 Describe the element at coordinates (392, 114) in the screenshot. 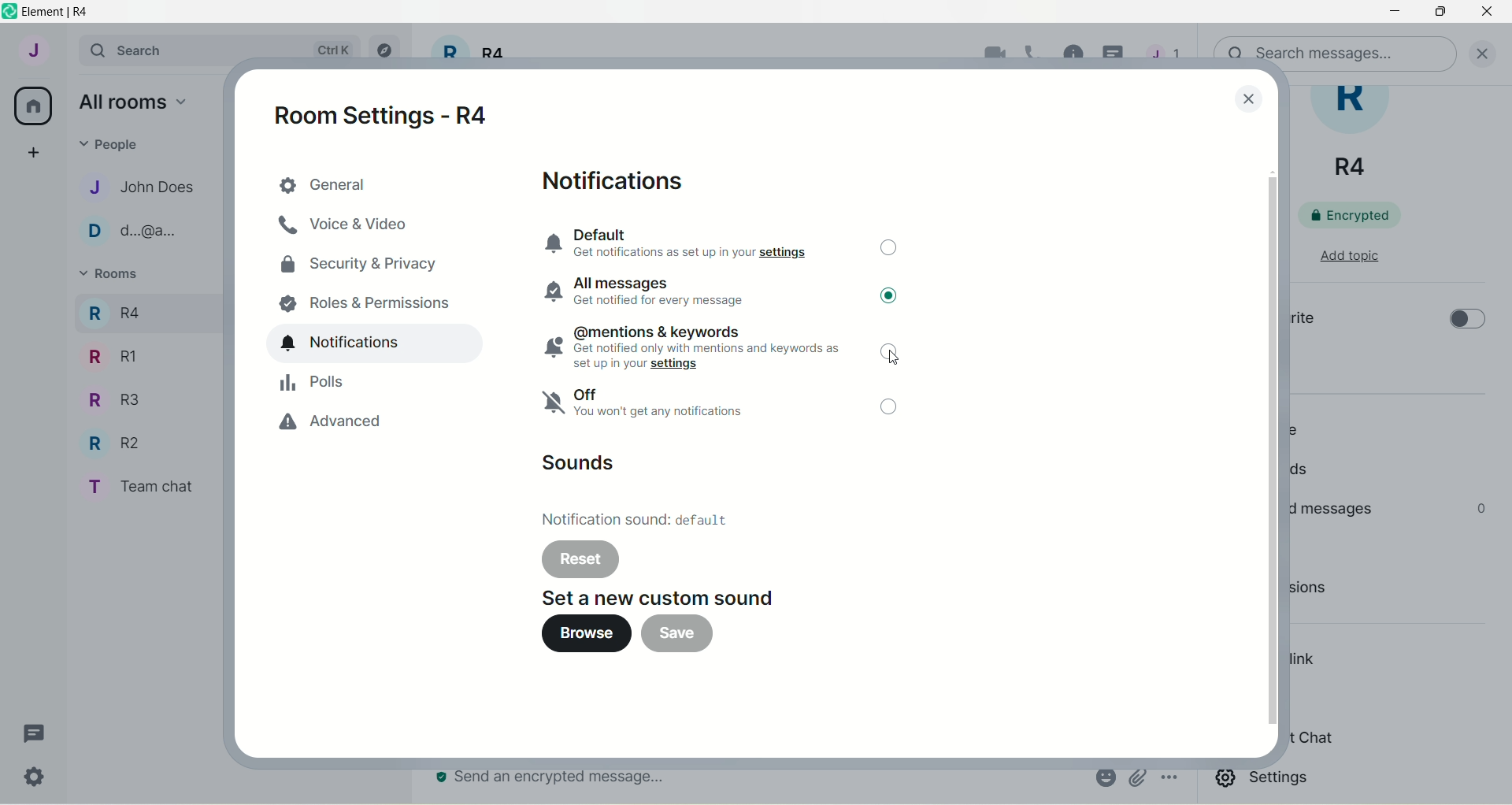

I see `Room Settings - R4` at that location.